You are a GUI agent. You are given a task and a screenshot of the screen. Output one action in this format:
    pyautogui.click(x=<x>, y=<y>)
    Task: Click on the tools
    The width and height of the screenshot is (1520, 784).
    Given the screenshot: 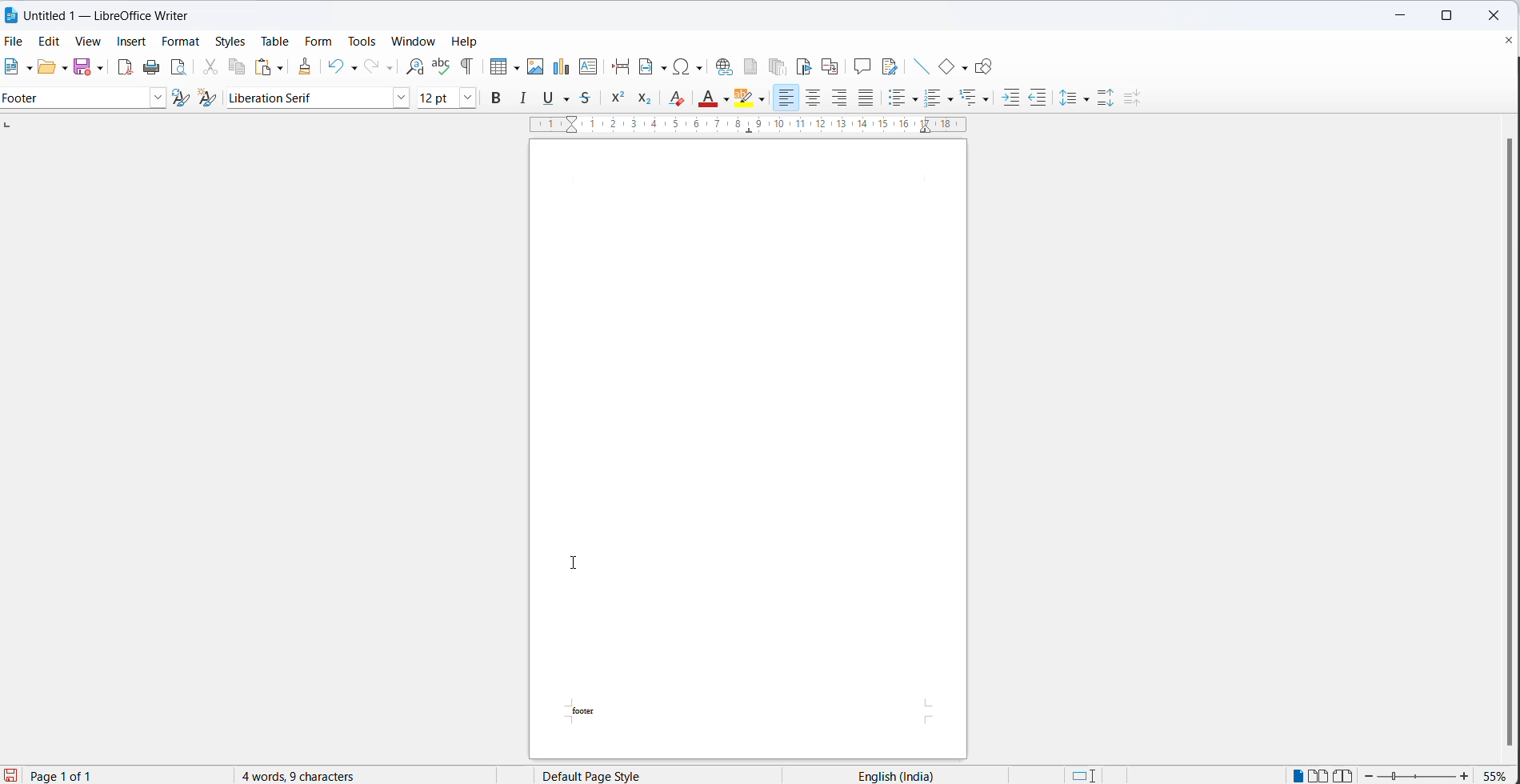 What is the action you would take?
    pyautogui.click(x=360, y=40)
    